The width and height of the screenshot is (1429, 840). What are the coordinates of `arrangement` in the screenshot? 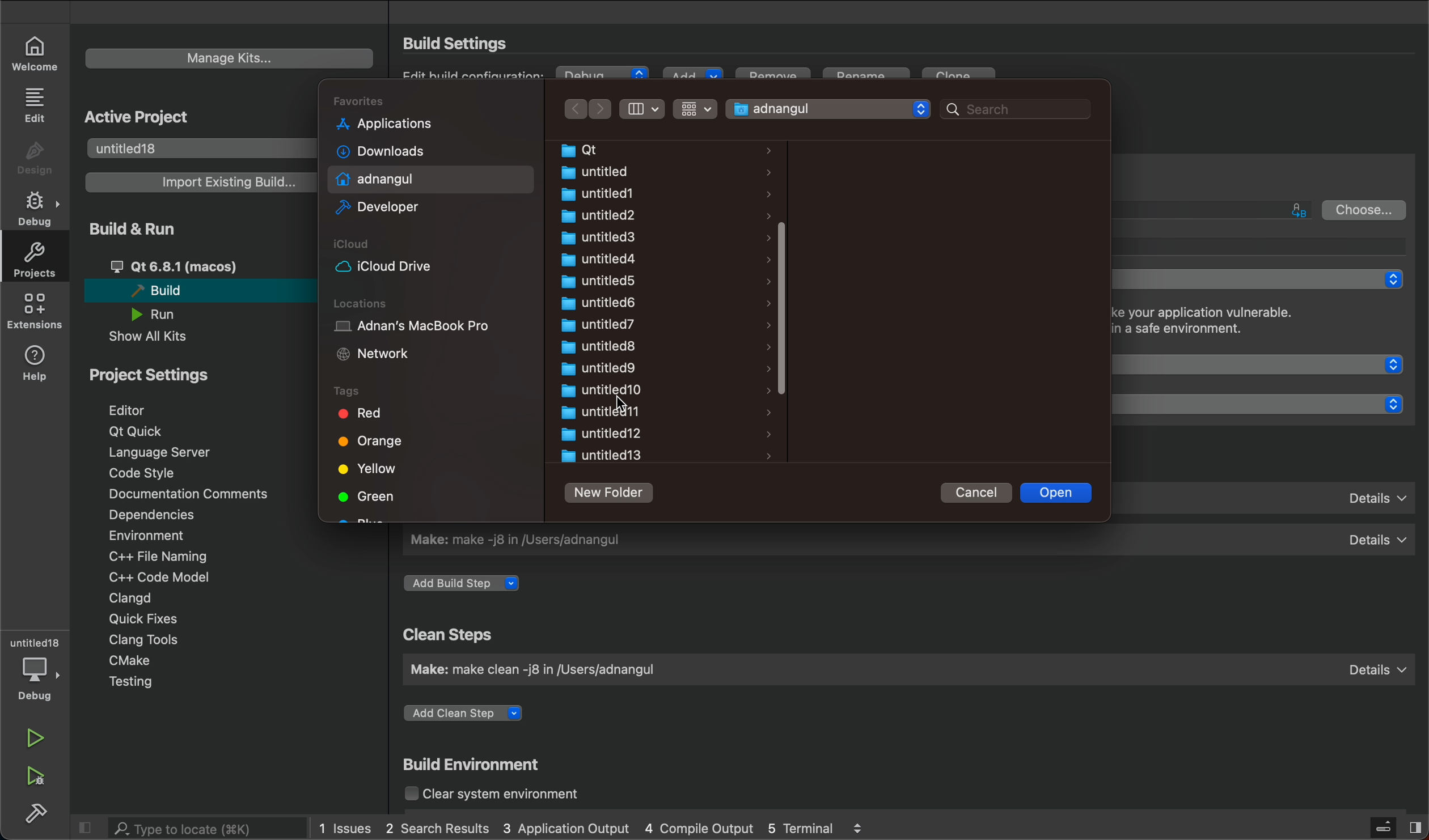 It's located at (639, 109).